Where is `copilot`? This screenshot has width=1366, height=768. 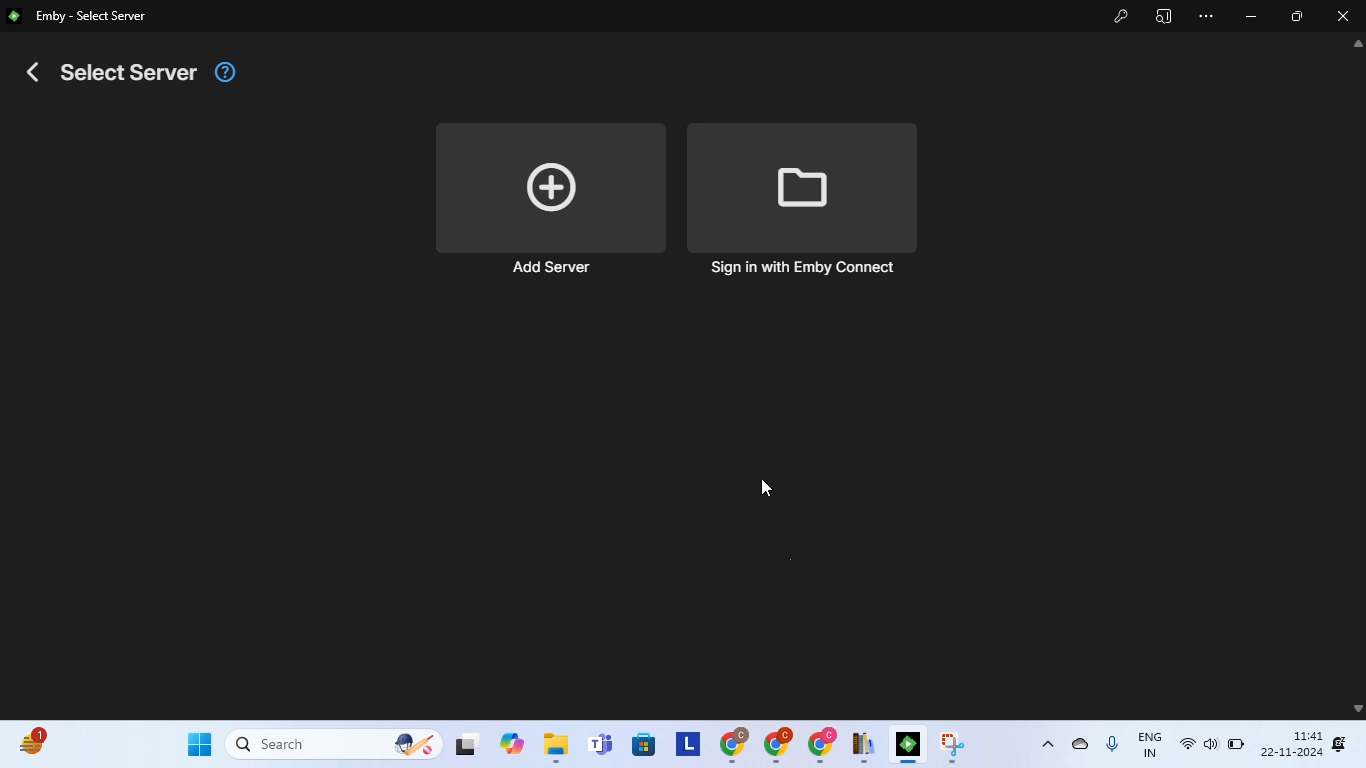
copilot is located at coordinates (514, 743).